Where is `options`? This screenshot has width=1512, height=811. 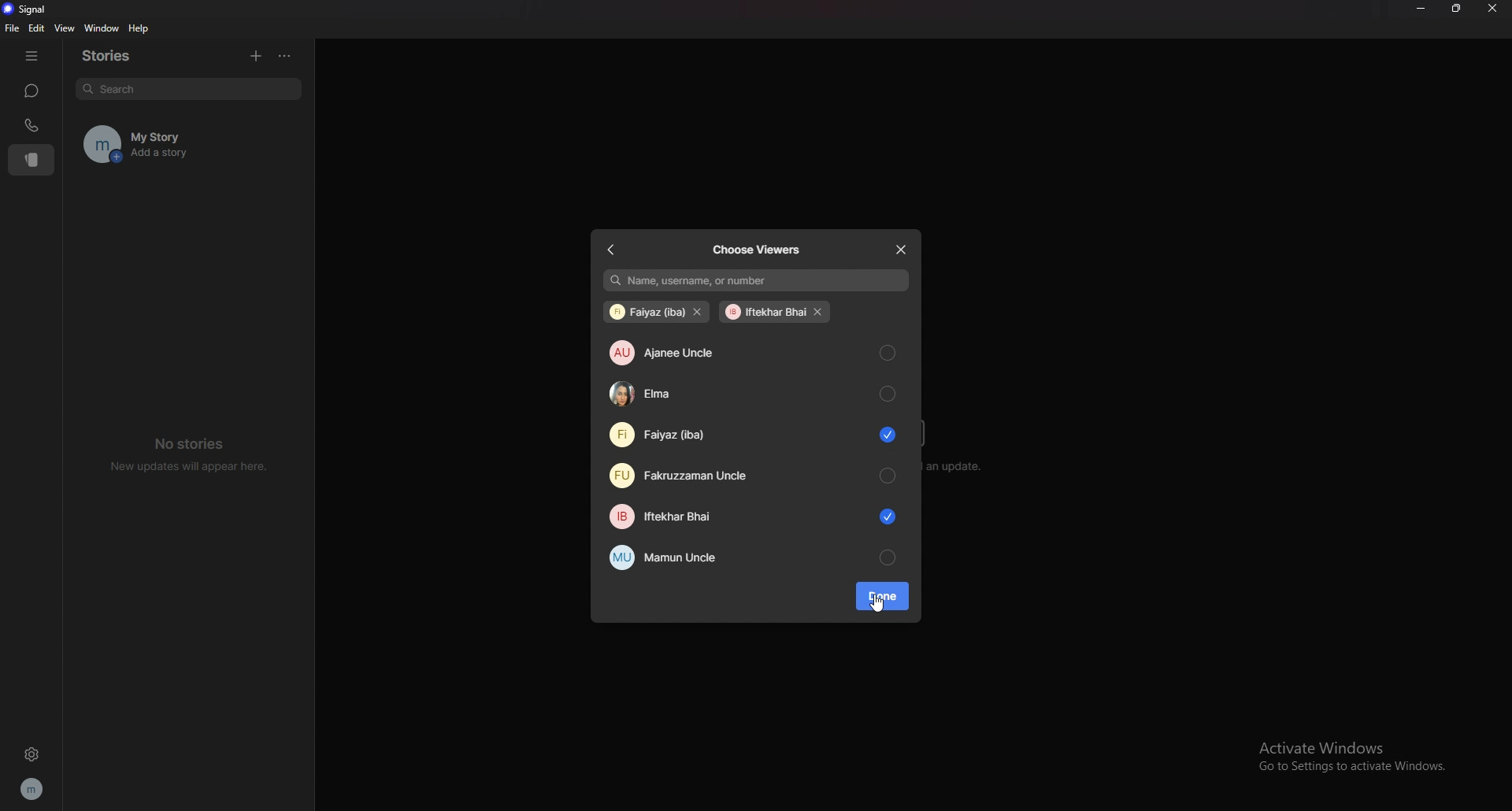 options is located at coordinates (288, 54).